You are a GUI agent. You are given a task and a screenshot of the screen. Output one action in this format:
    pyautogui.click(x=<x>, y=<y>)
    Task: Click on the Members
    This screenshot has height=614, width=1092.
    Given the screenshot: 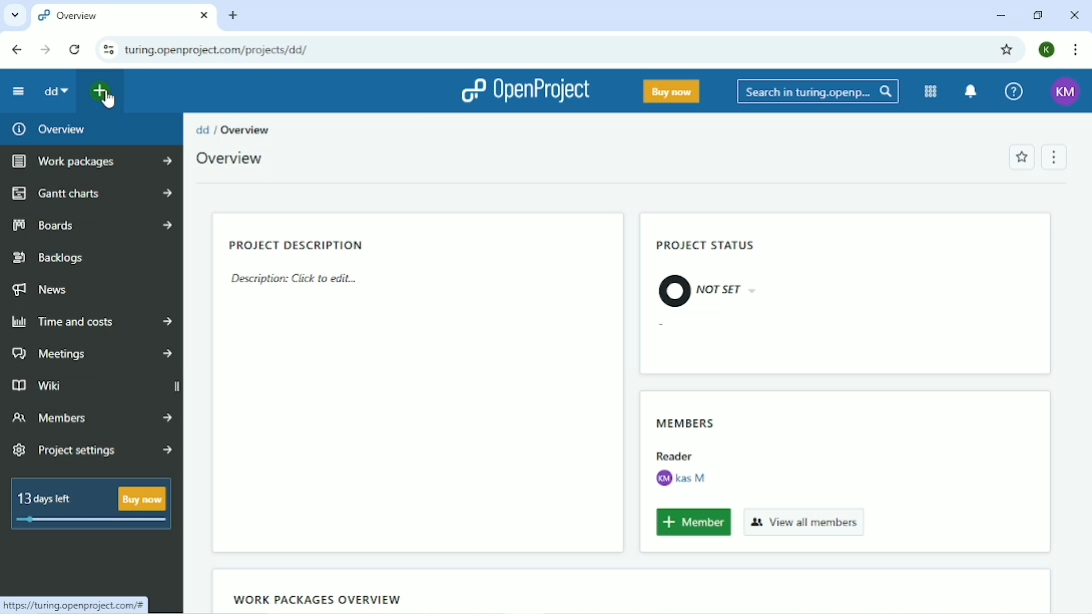 What is the action you would take?
    pyautogui.click(x=89, y=418)
    